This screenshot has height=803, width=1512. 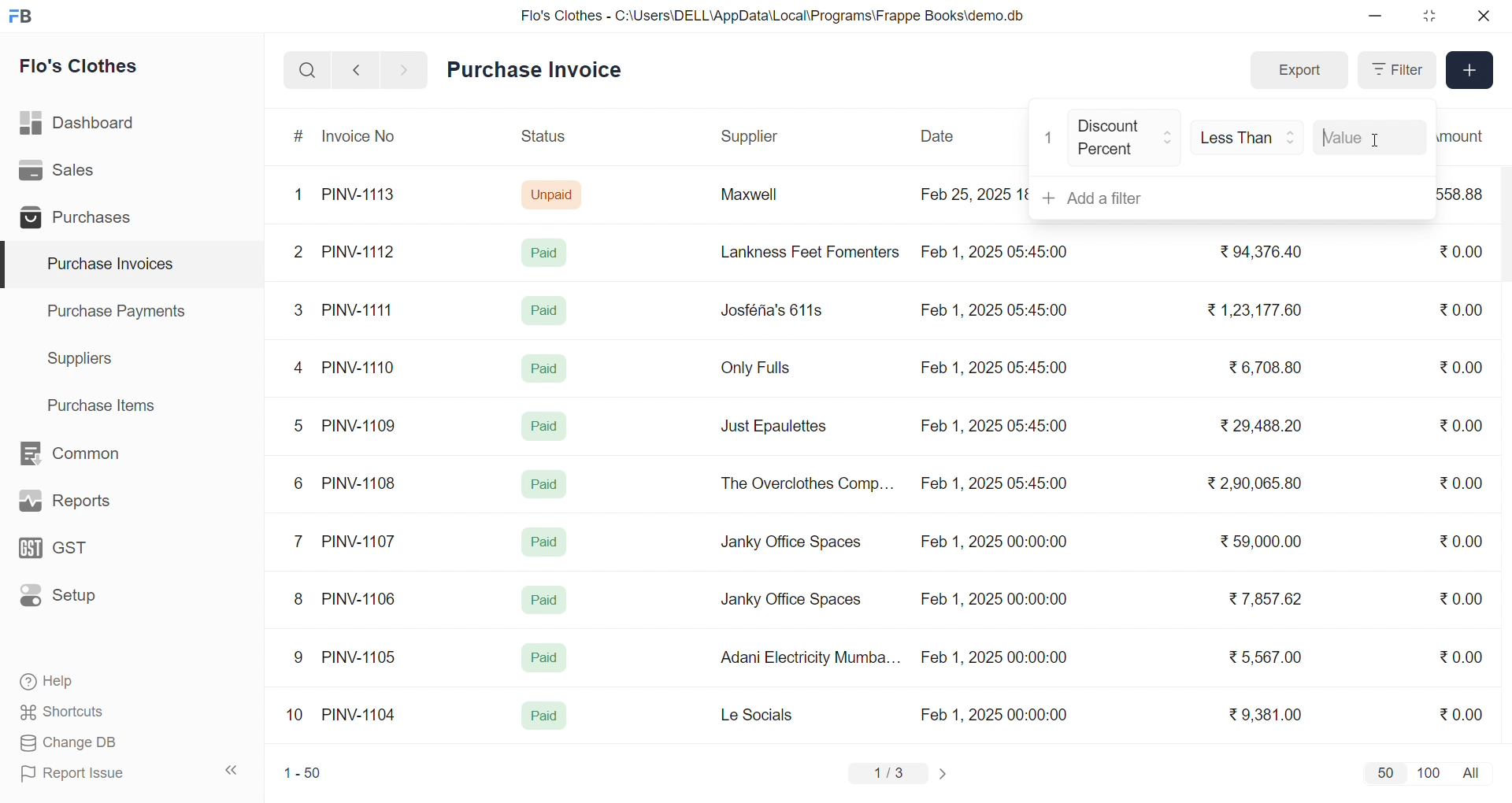 I want to click on Flo's Clothes, so click(x=90, y=68).